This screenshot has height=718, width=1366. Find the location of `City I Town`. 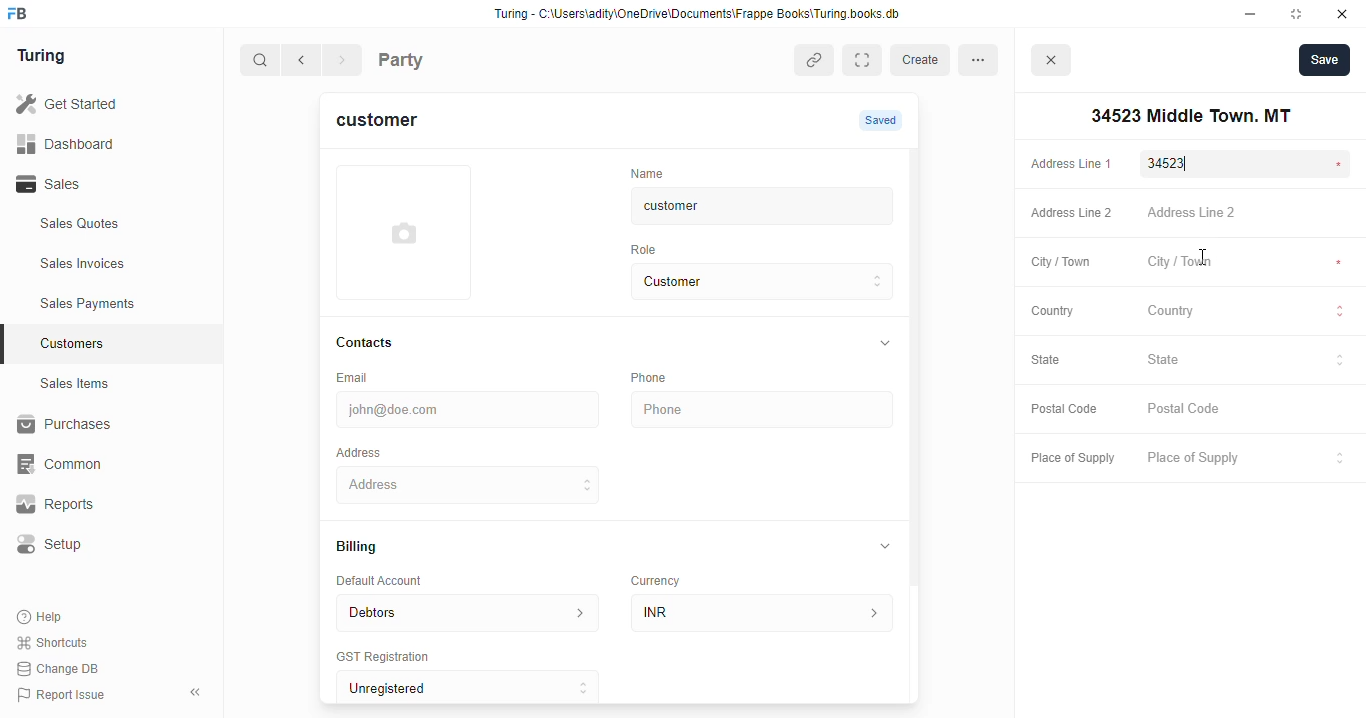

City I Town is located at coordinates (1246, 263).